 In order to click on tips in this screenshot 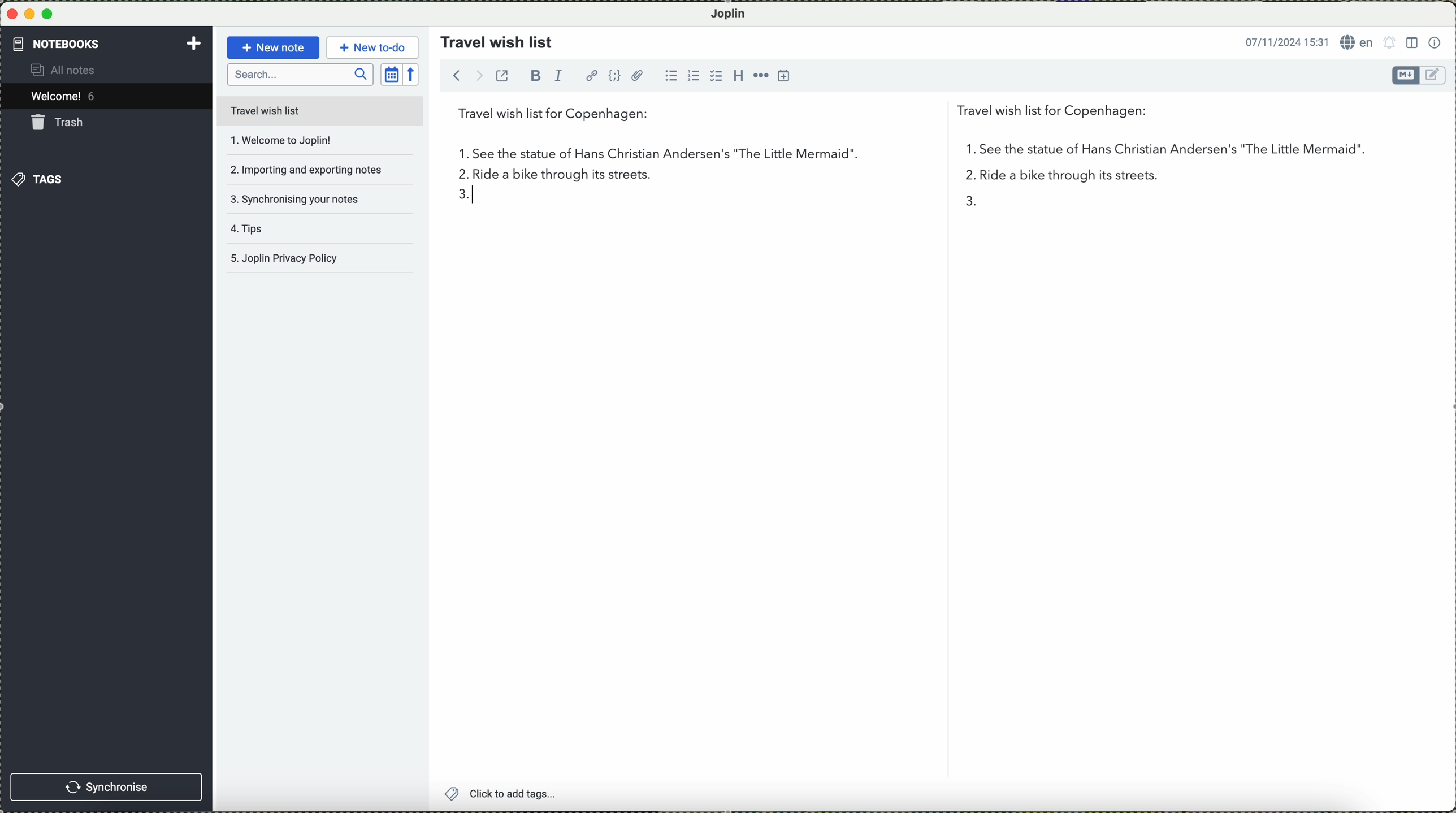, I will do `click(298, 233)`.